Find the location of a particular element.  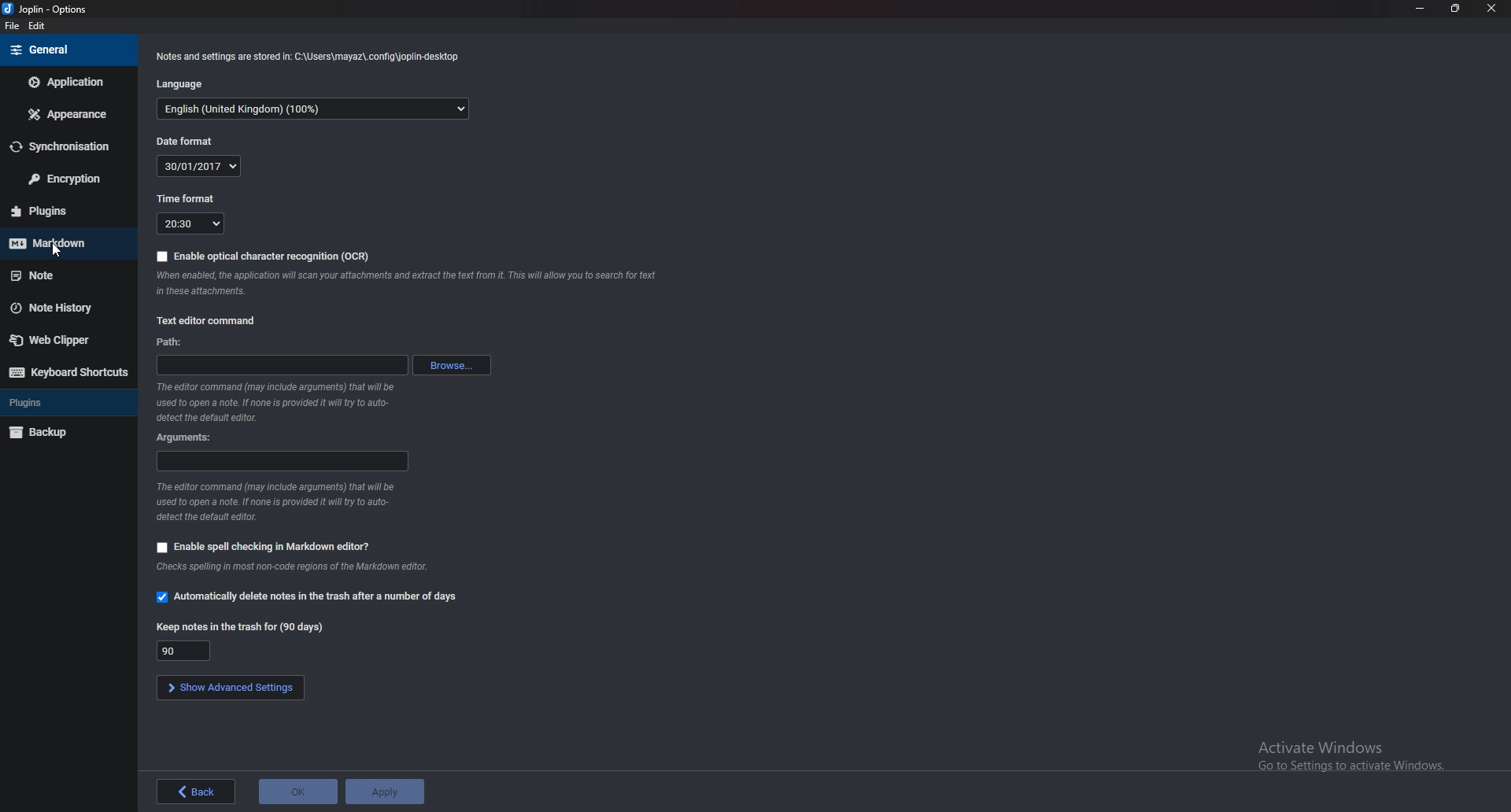

When enabled, the application will scan your attachments and extract the text from it. This will allow you to search for text attachments. is located at coordinates (411, 282).